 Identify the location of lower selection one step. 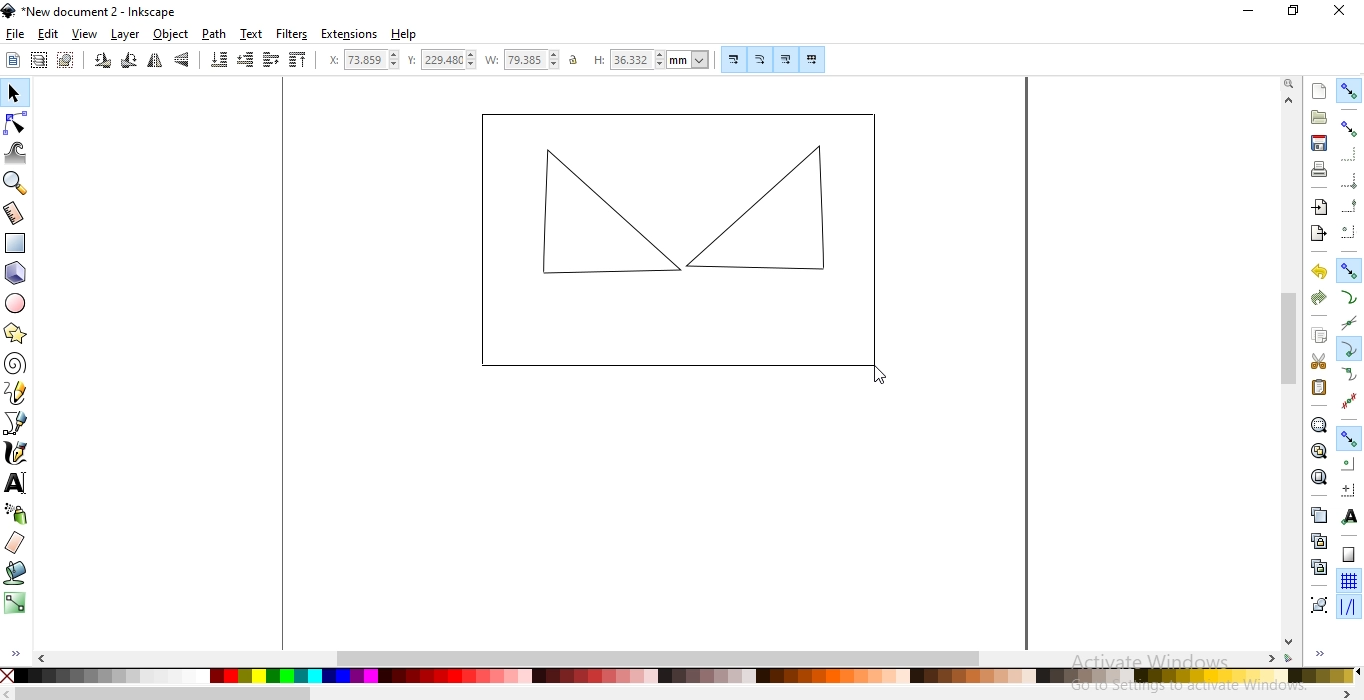
(247, 61).